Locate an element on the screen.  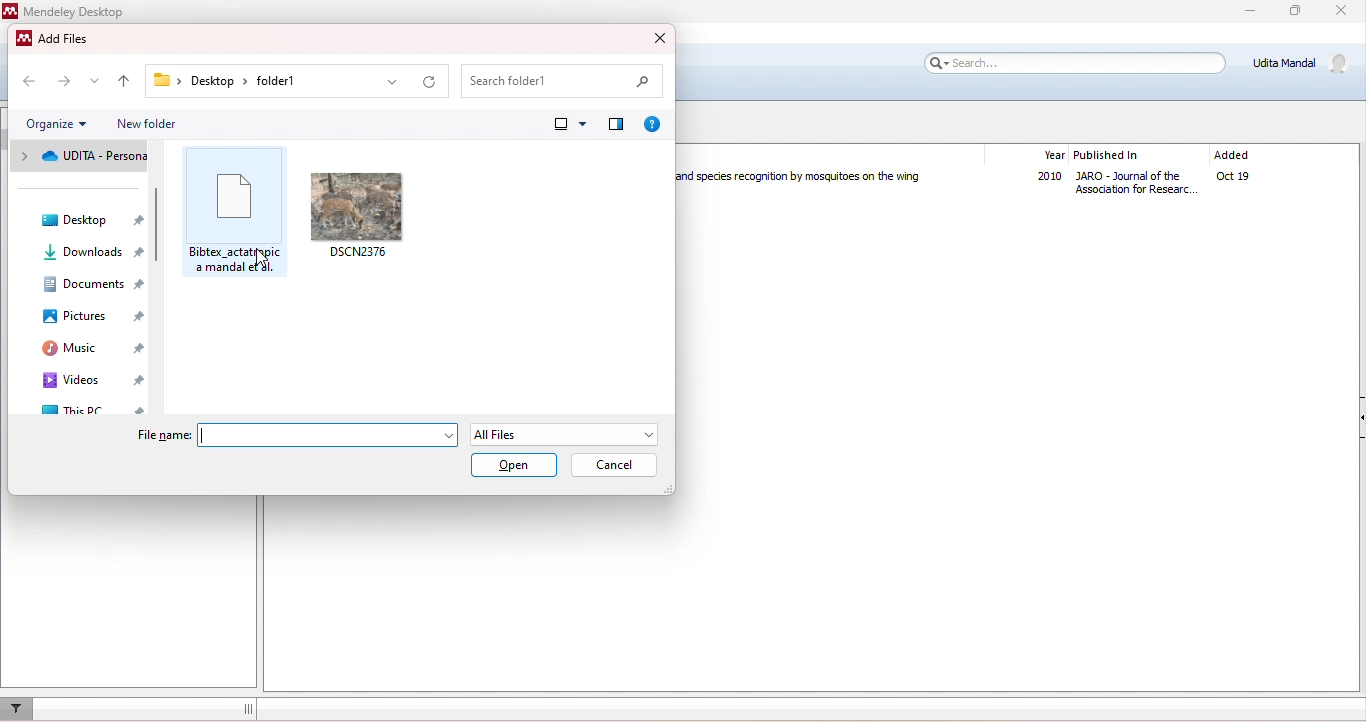
refresh is located at coordinates (430, 82).